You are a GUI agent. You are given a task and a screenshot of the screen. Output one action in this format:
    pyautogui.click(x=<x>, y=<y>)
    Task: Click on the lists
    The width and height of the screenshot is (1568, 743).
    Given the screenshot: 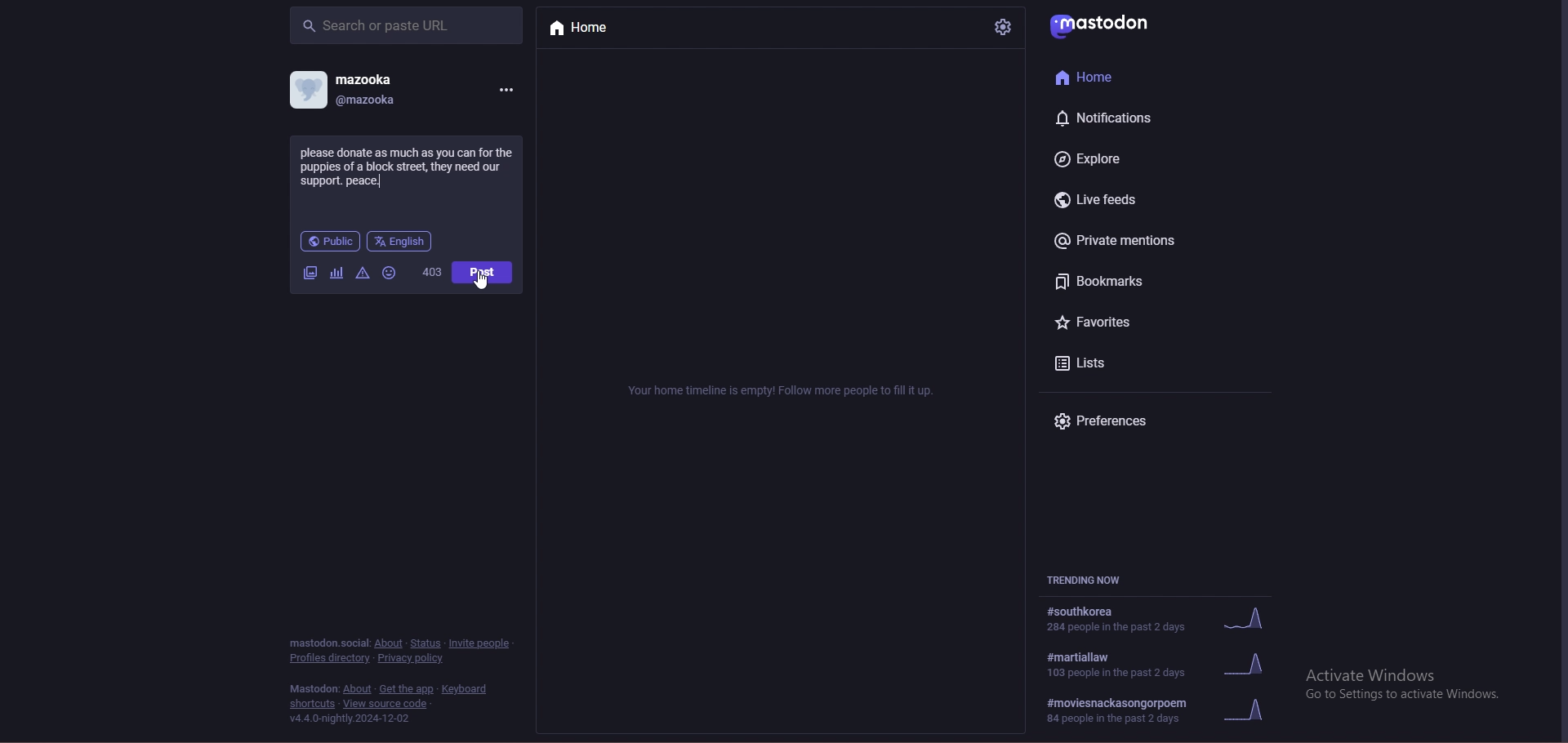 What is the action you would take?
    pyautogui.click(x=1145, y=364)
    